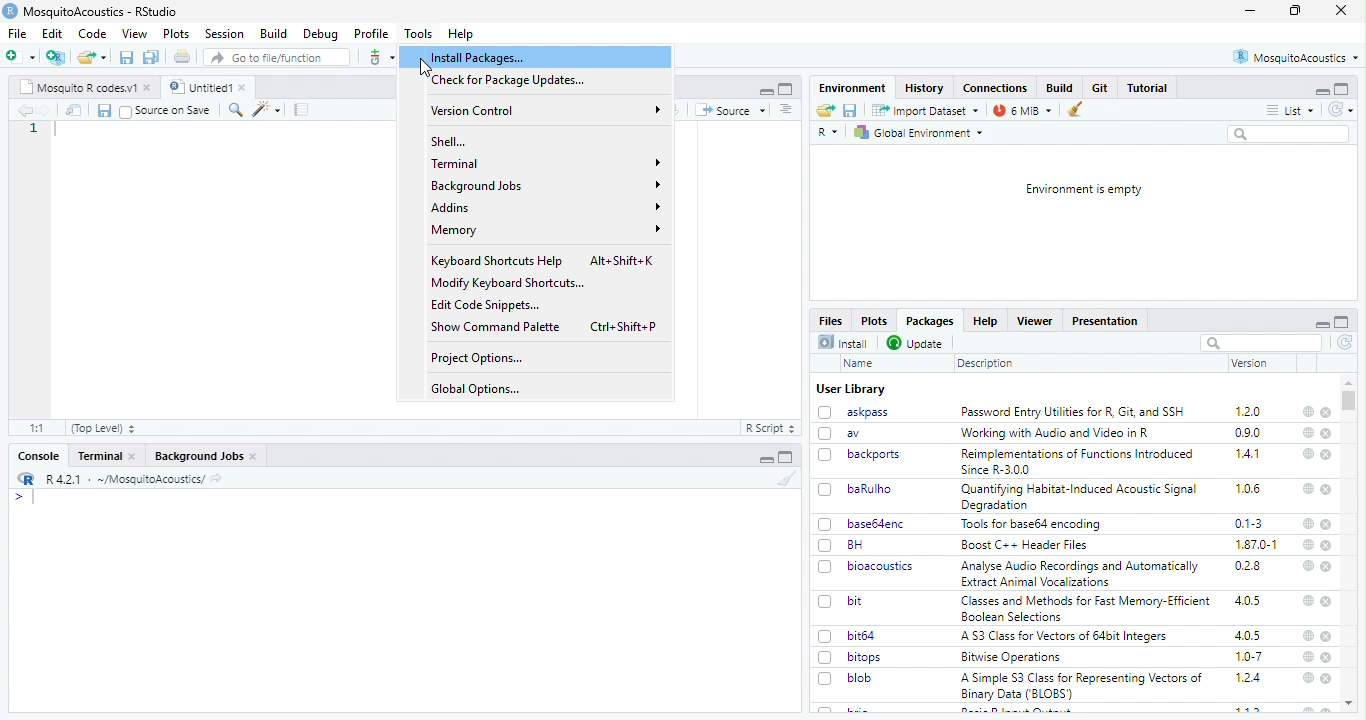  Describe the element at coordinates (178, 34) in the screenshot. I see `Plots` at that location.